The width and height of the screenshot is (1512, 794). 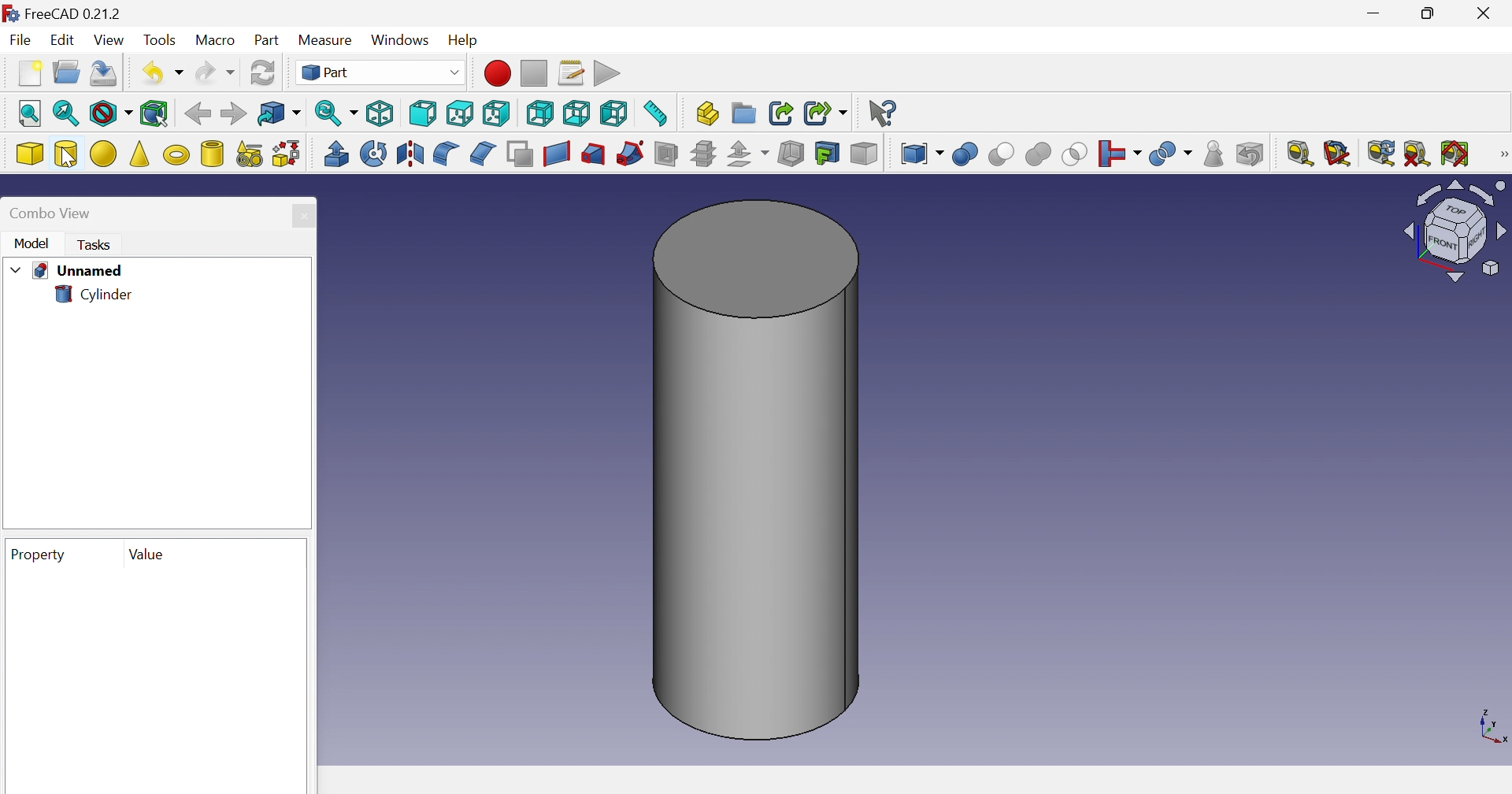 What do you see at coordinates (53, 213) in the screenshot?
I see `Combo view` at bounding box center [53, 213].